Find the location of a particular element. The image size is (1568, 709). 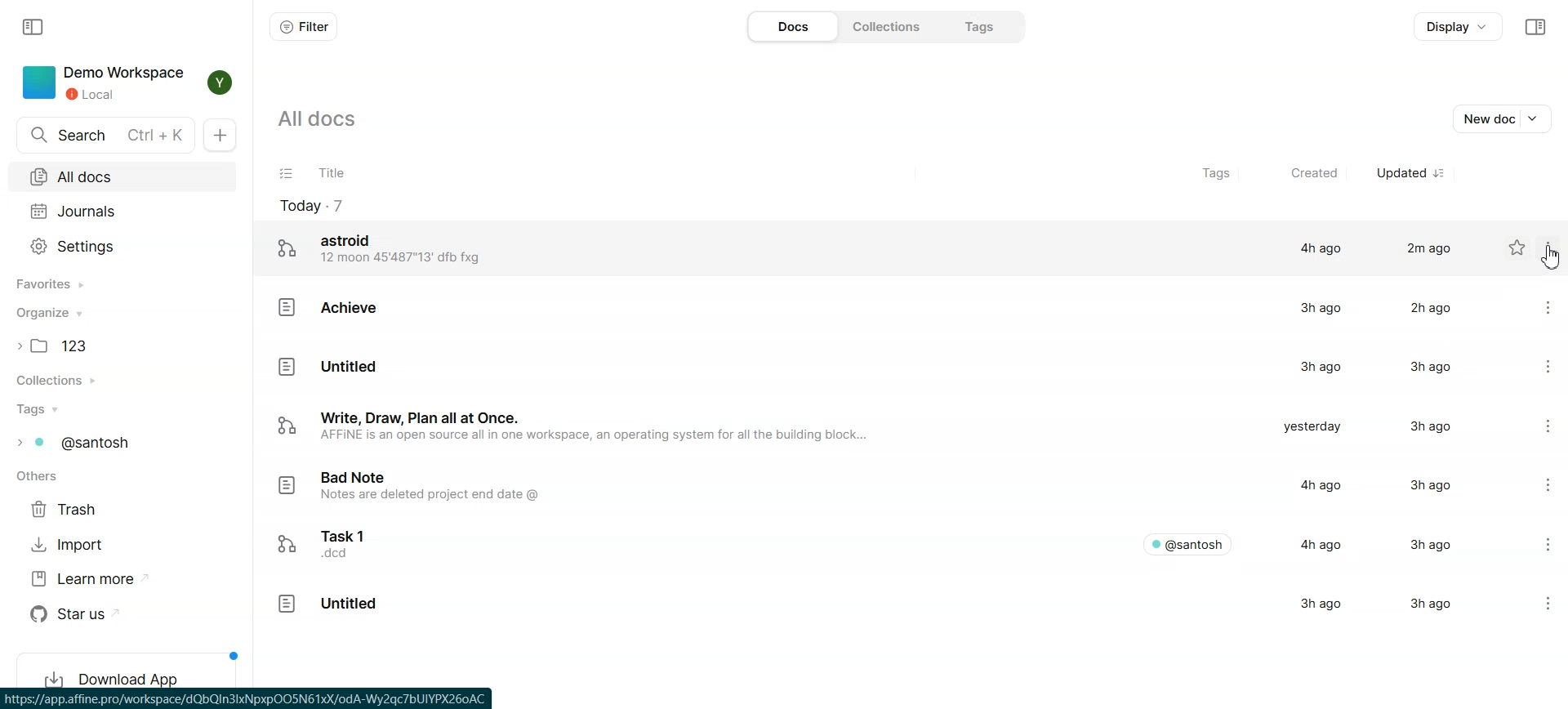

Cursor on options is located at coordinates (1550, 256).